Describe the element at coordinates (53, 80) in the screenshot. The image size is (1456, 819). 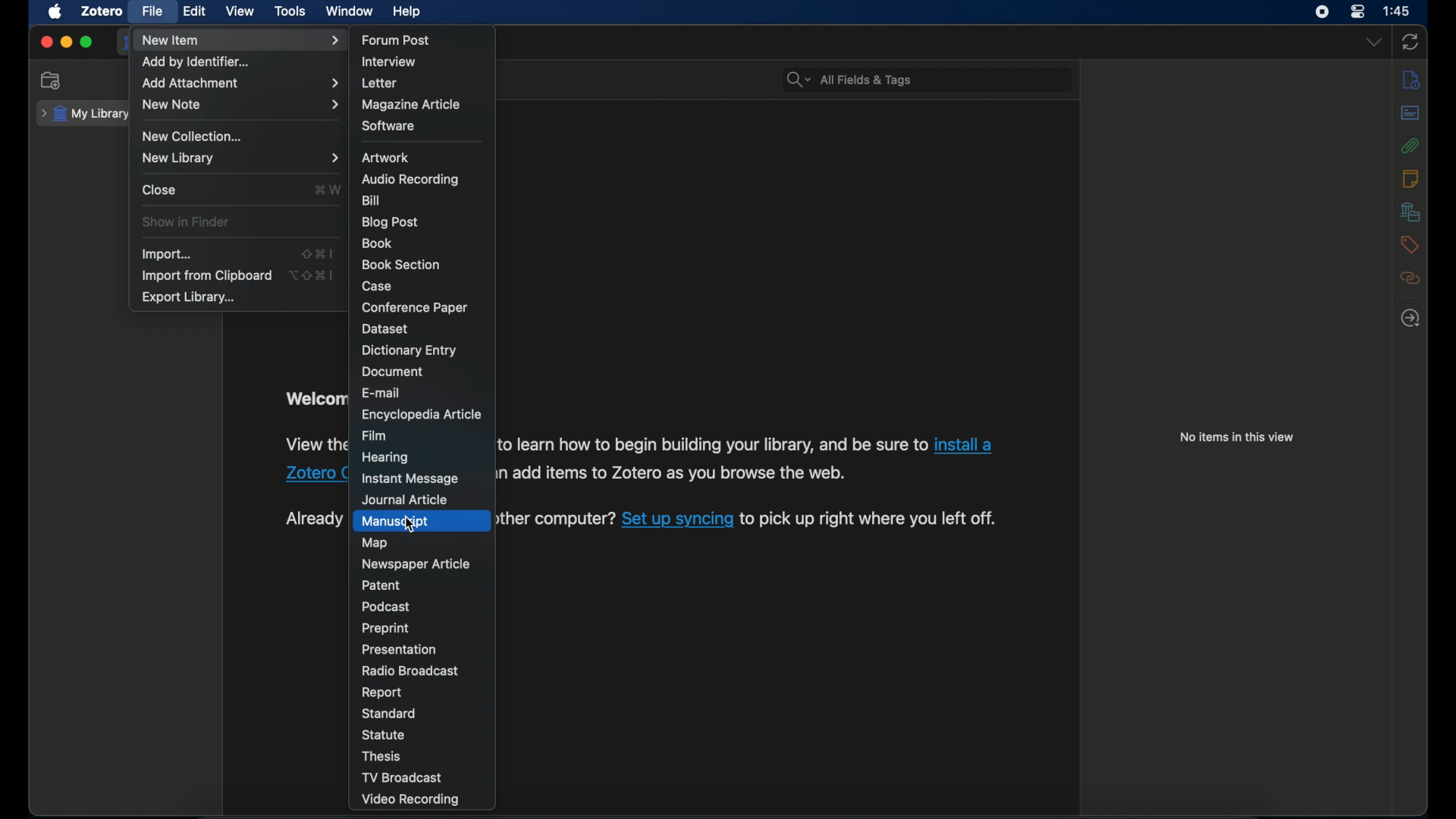
I see `new collection` at that location.